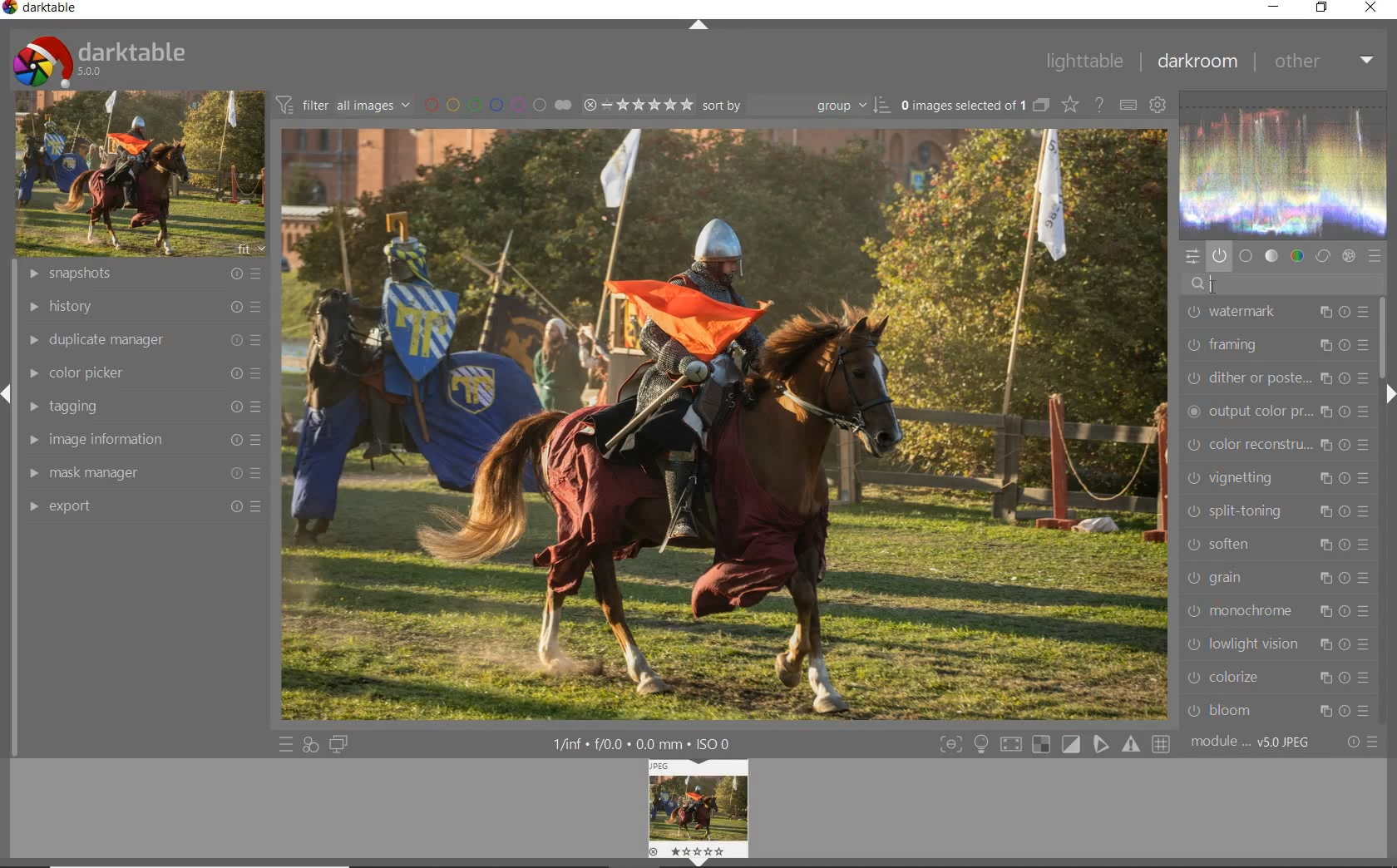  Describe the element at coordinates (1349, 255) in the screenshot. I see `effect` at that location.